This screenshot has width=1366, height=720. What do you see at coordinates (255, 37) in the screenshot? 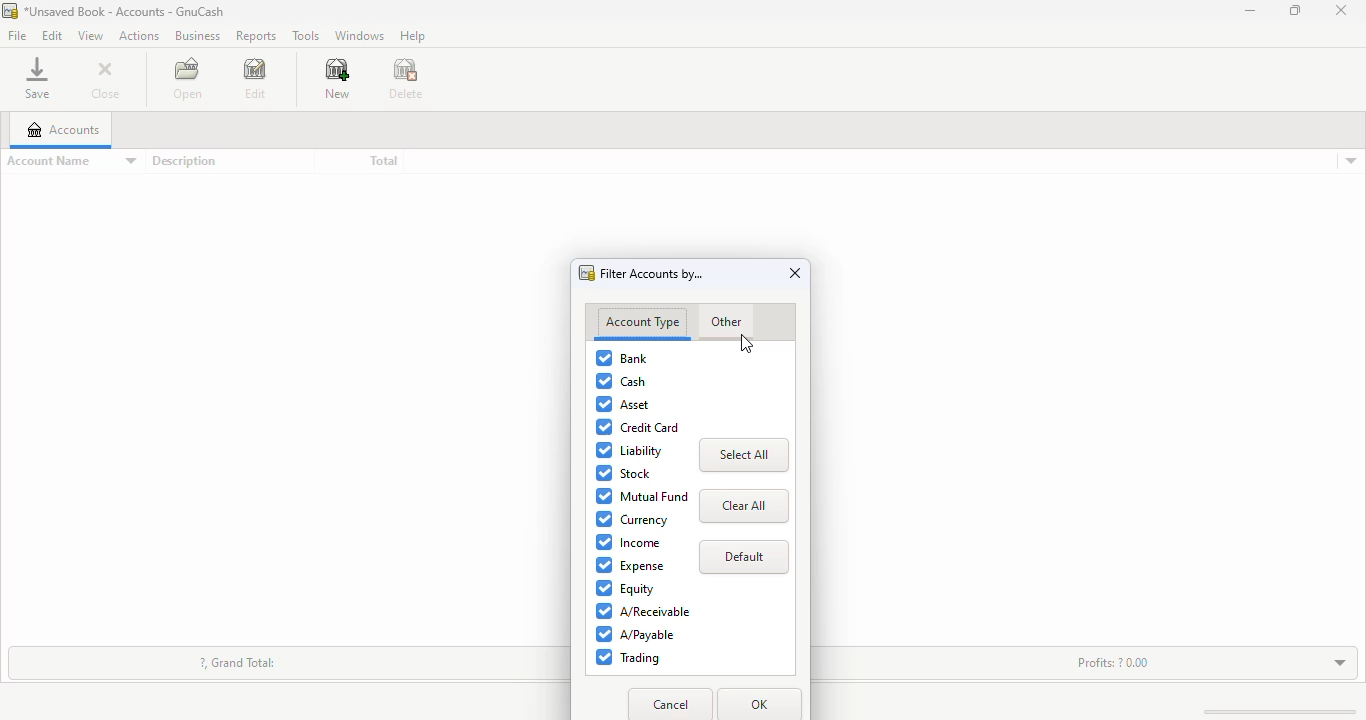
I see `reports` at bounding box center [255, 37].